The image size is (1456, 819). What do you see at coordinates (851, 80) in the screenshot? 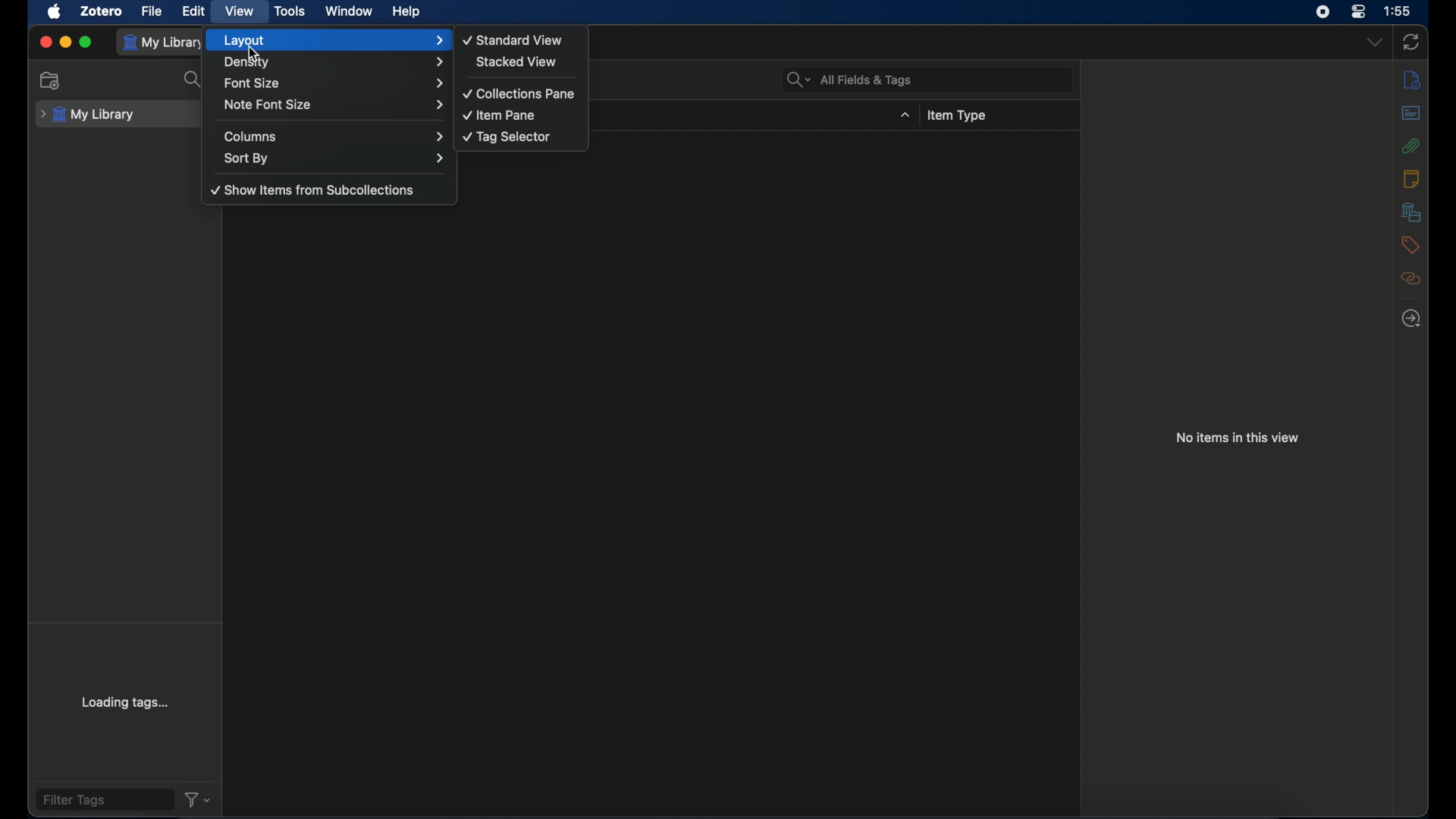
I see `all fields & tags` at bounding box center [851, 80].